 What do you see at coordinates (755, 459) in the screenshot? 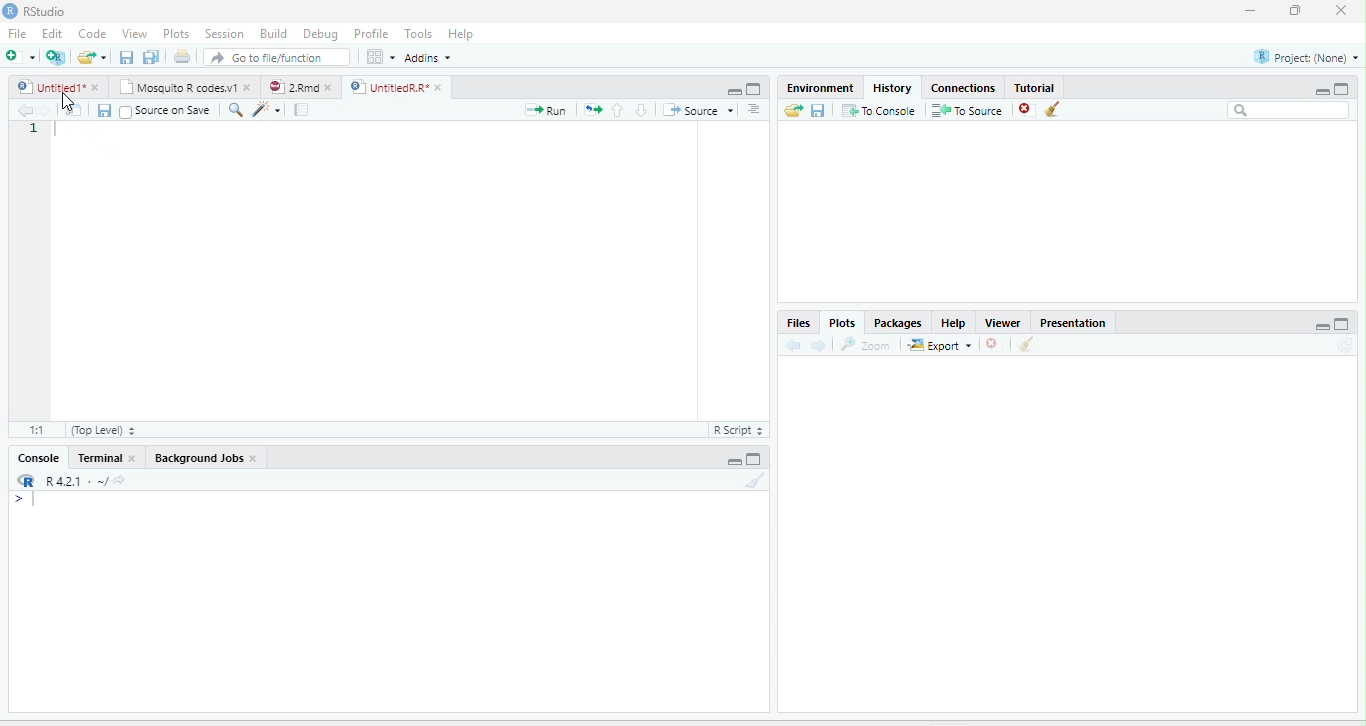
I see `Maximize` at bounding box center [755, 459].